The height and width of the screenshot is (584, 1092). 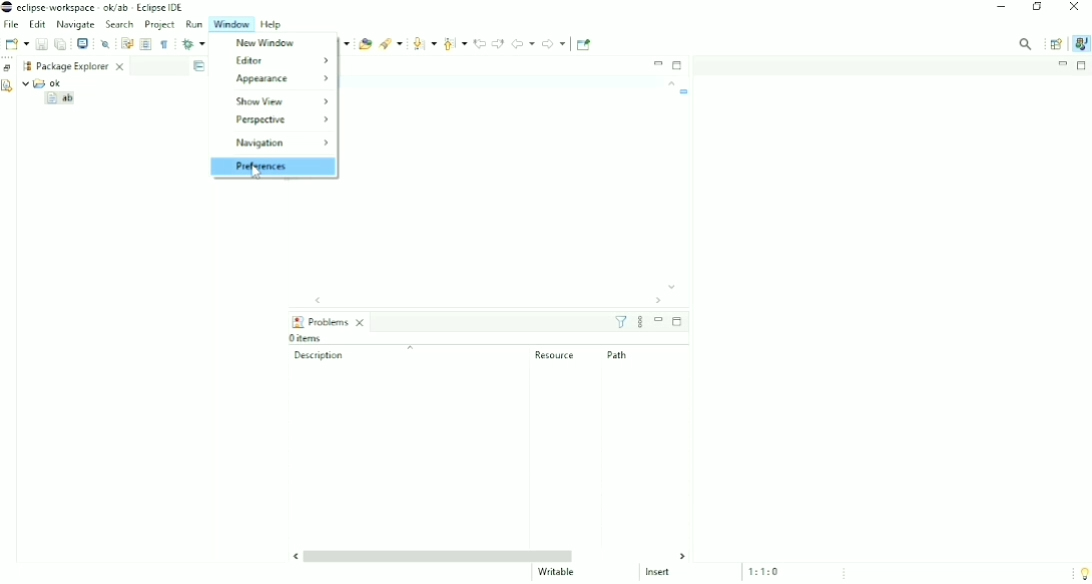 What do you see at coordinates (61, 44) in the screenshot?
I see `Save All` at bounding box center [61, 44].